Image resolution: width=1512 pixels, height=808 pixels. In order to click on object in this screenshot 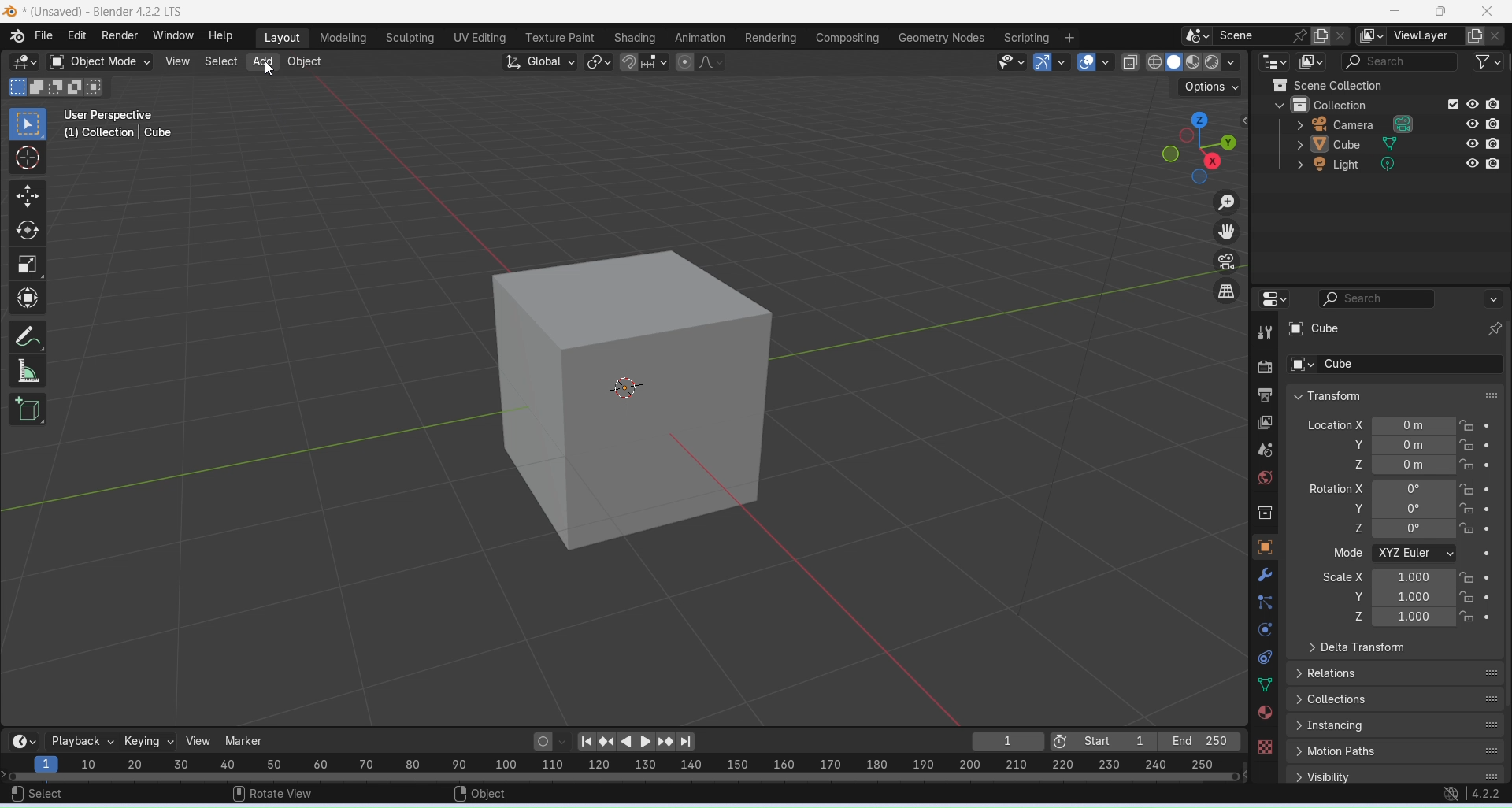, I will do `click(482, 794)`.